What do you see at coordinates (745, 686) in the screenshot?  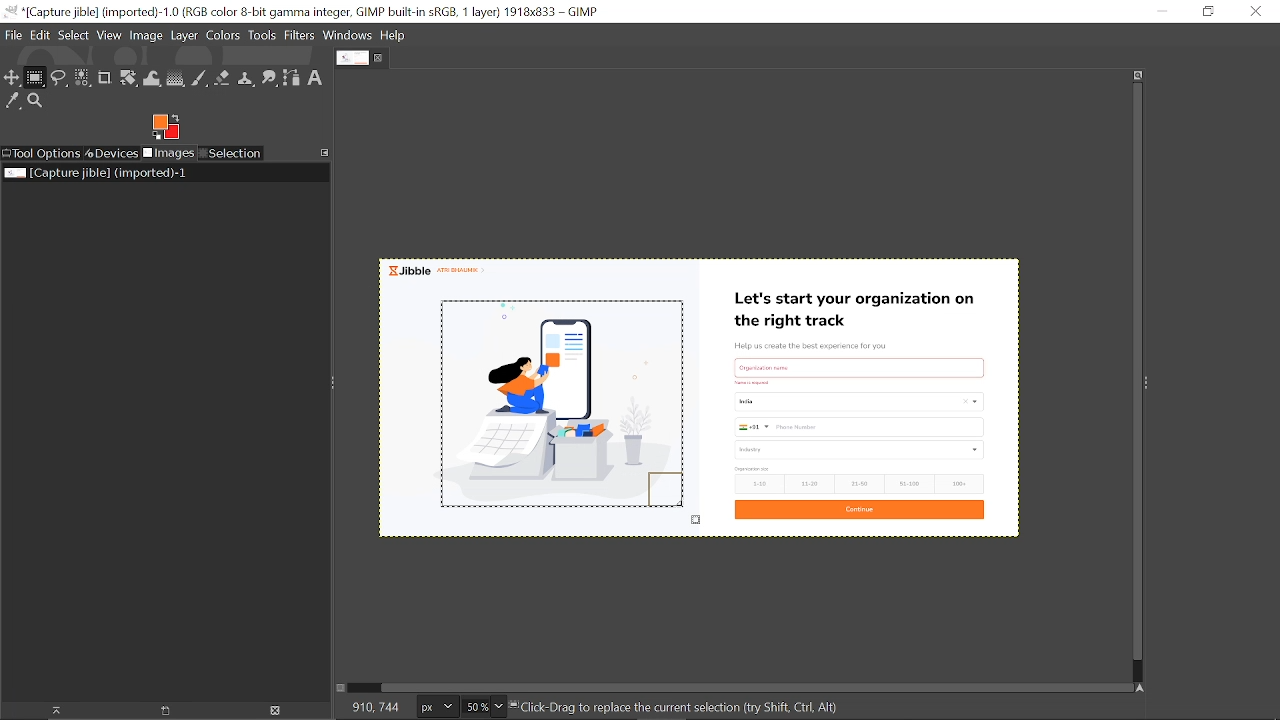 I see `Horizontal scrollbar` at bounding box center [745, 686].